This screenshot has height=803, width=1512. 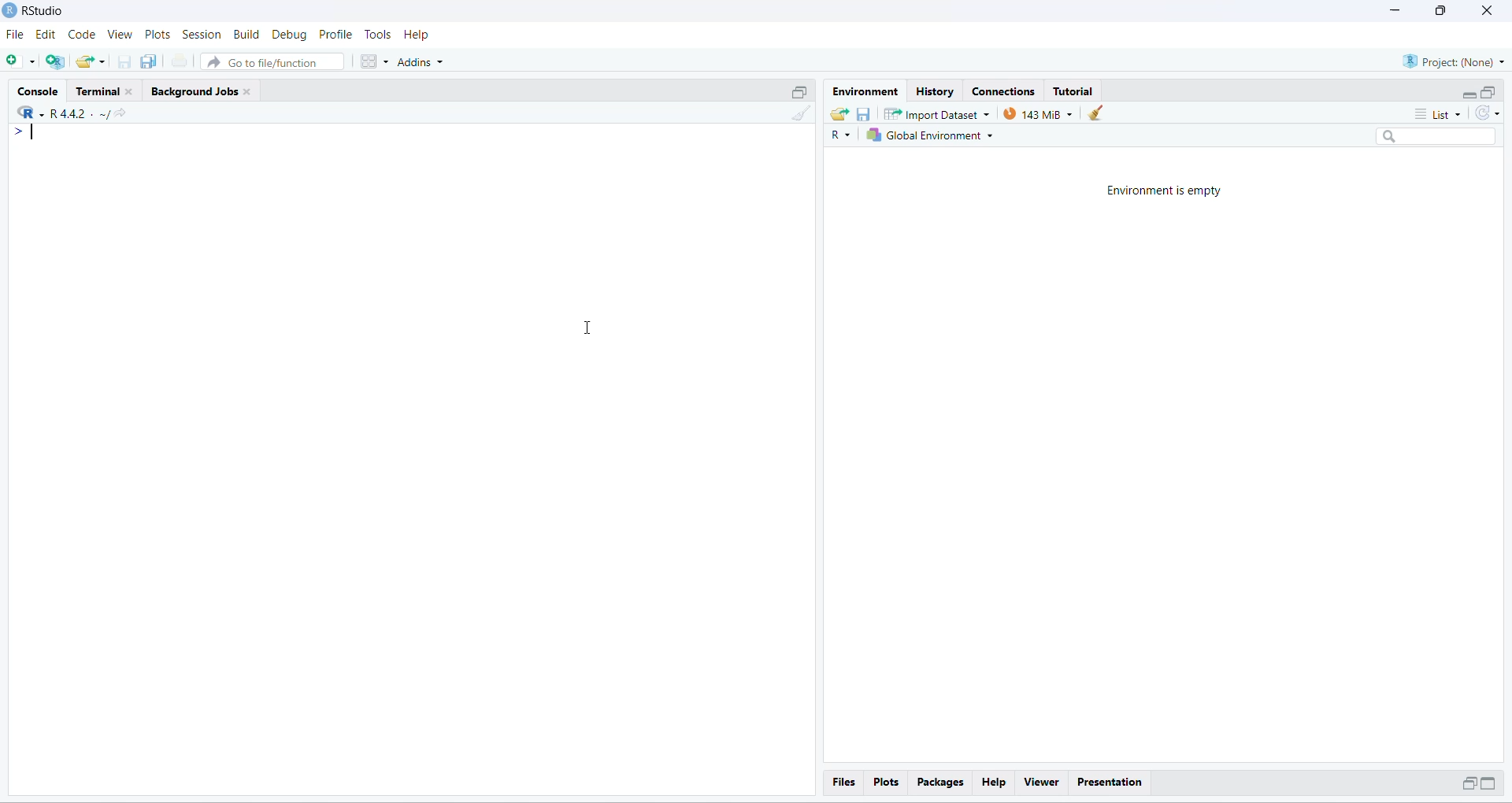 I want to click on close, so click(x=1488, y=10).